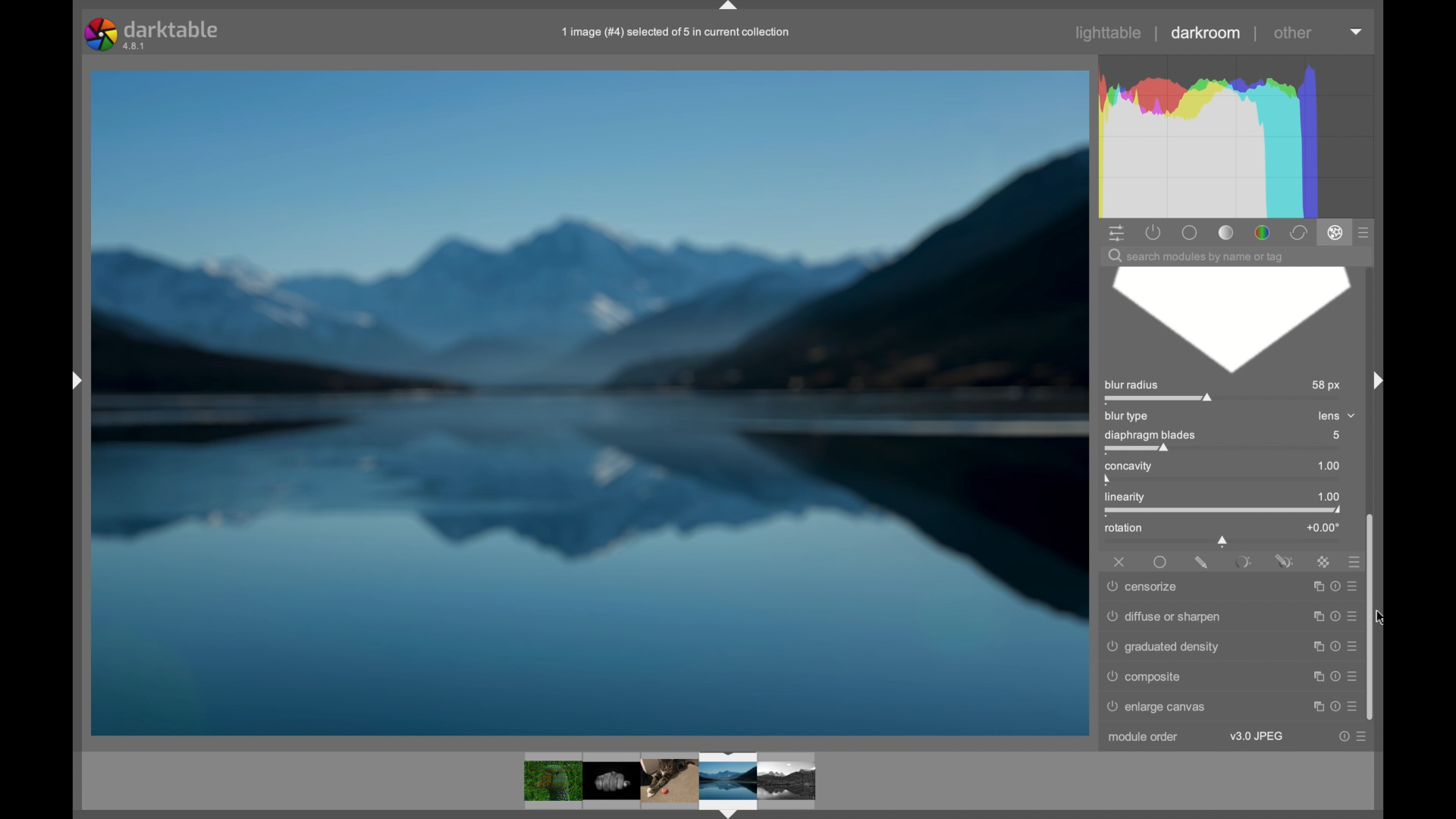 The image size is (1456, 819). Describe the element at coordinates (67, 382) in the screenshot. I see `` at that location.